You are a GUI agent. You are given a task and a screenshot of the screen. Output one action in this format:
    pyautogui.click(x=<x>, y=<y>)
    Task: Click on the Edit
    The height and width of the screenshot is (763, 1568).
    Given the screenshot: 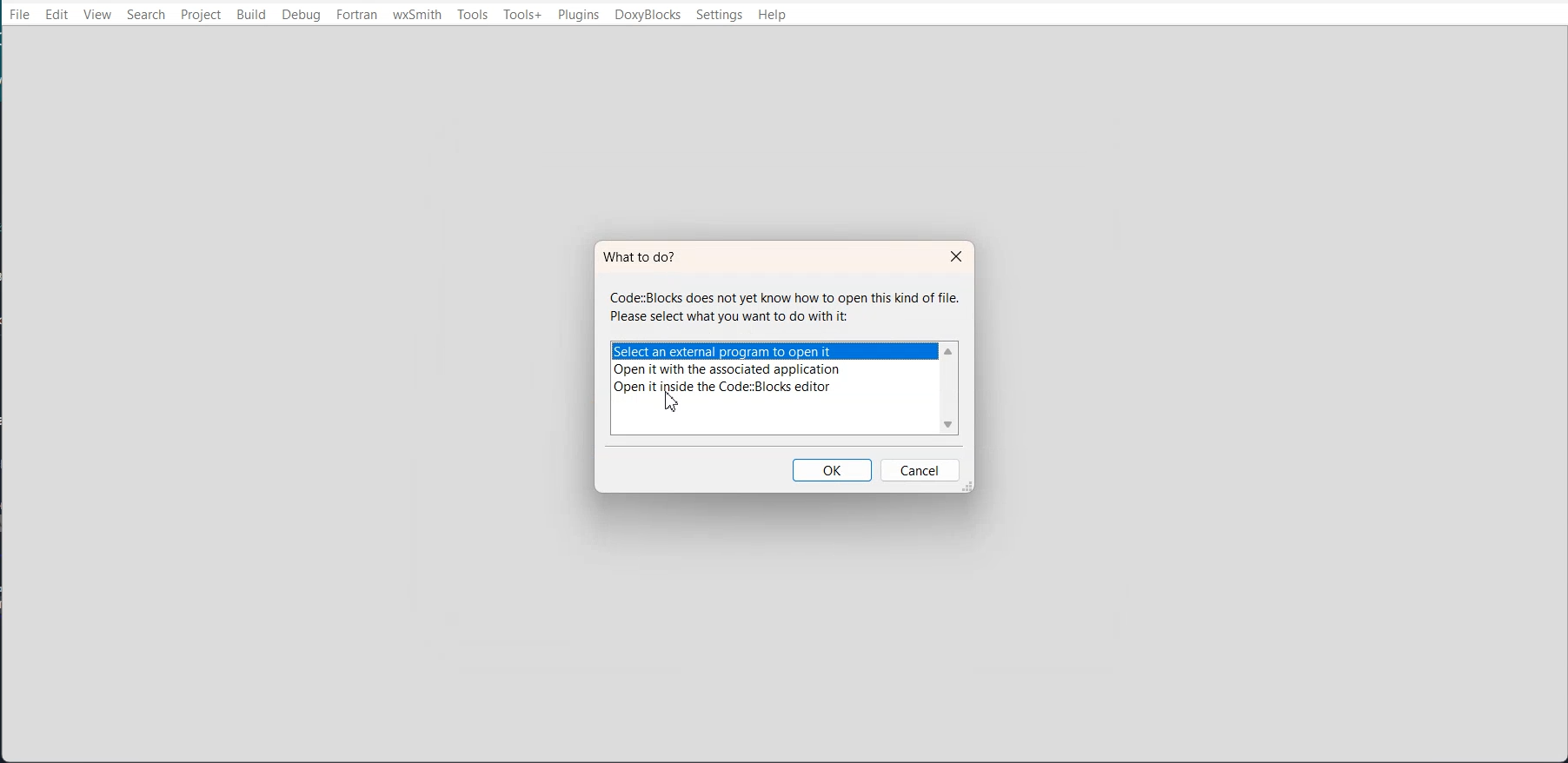 What is the action you would take?
    pyautogui.click(x=57, y=15)
    